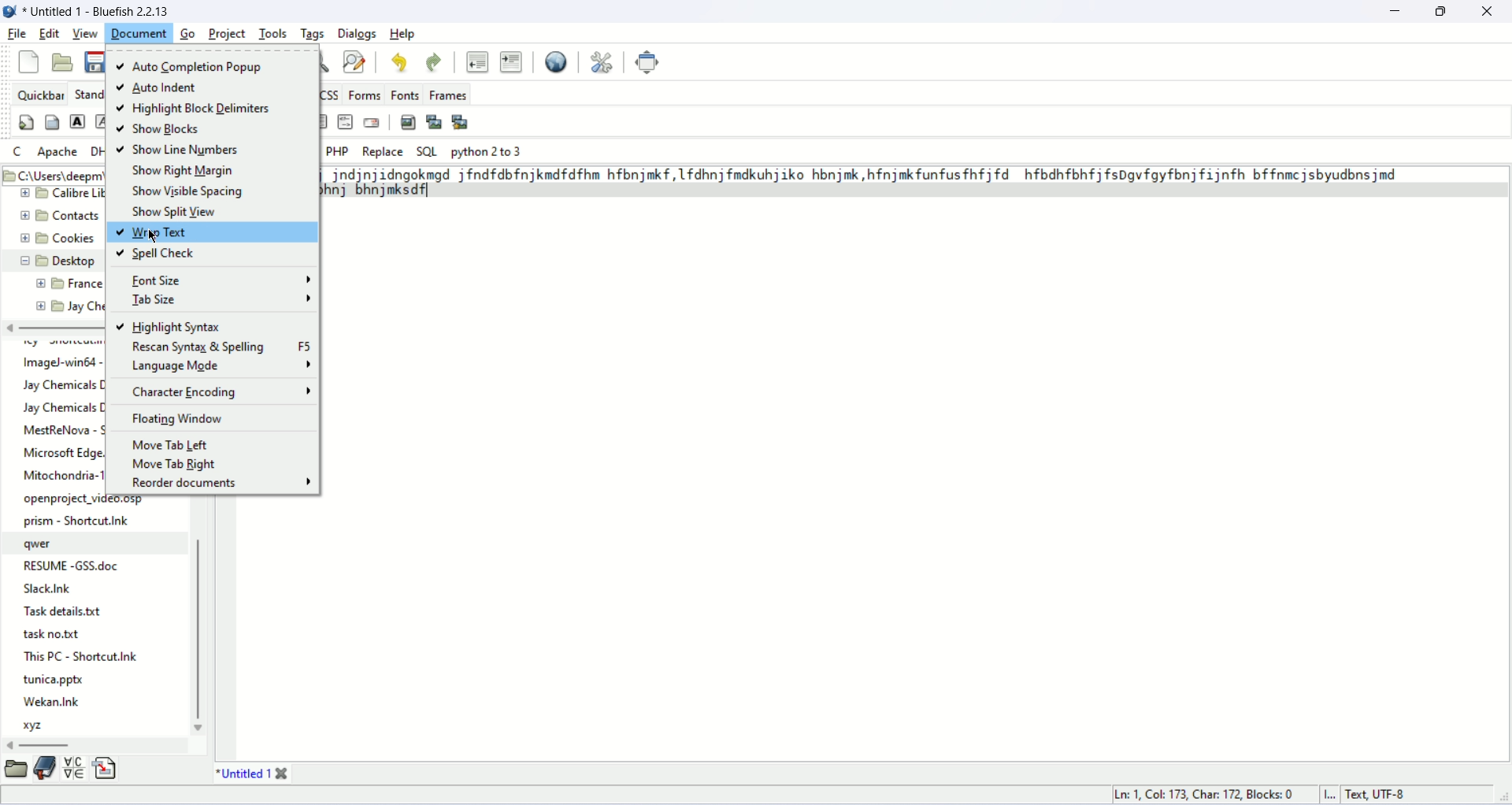 This screenshot has width=1512, height=805. What do you see at coordinates (435, 121) in the screenshot?
I see `insert thumbnail` at bounding box center [435, 121].